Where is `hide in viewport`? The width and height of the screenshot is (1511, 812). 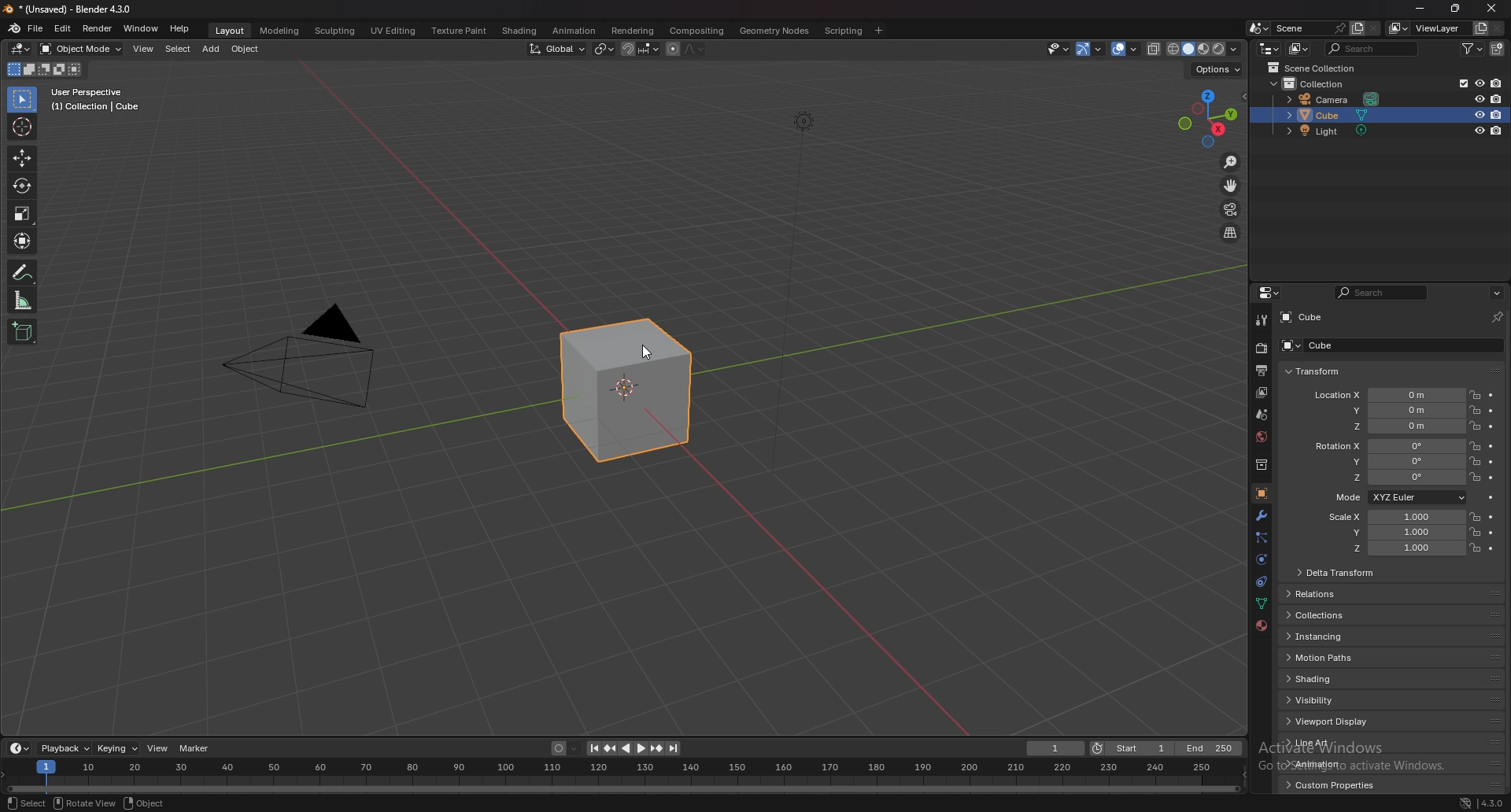
hide in viewport is located at coordinates (1479, 114).